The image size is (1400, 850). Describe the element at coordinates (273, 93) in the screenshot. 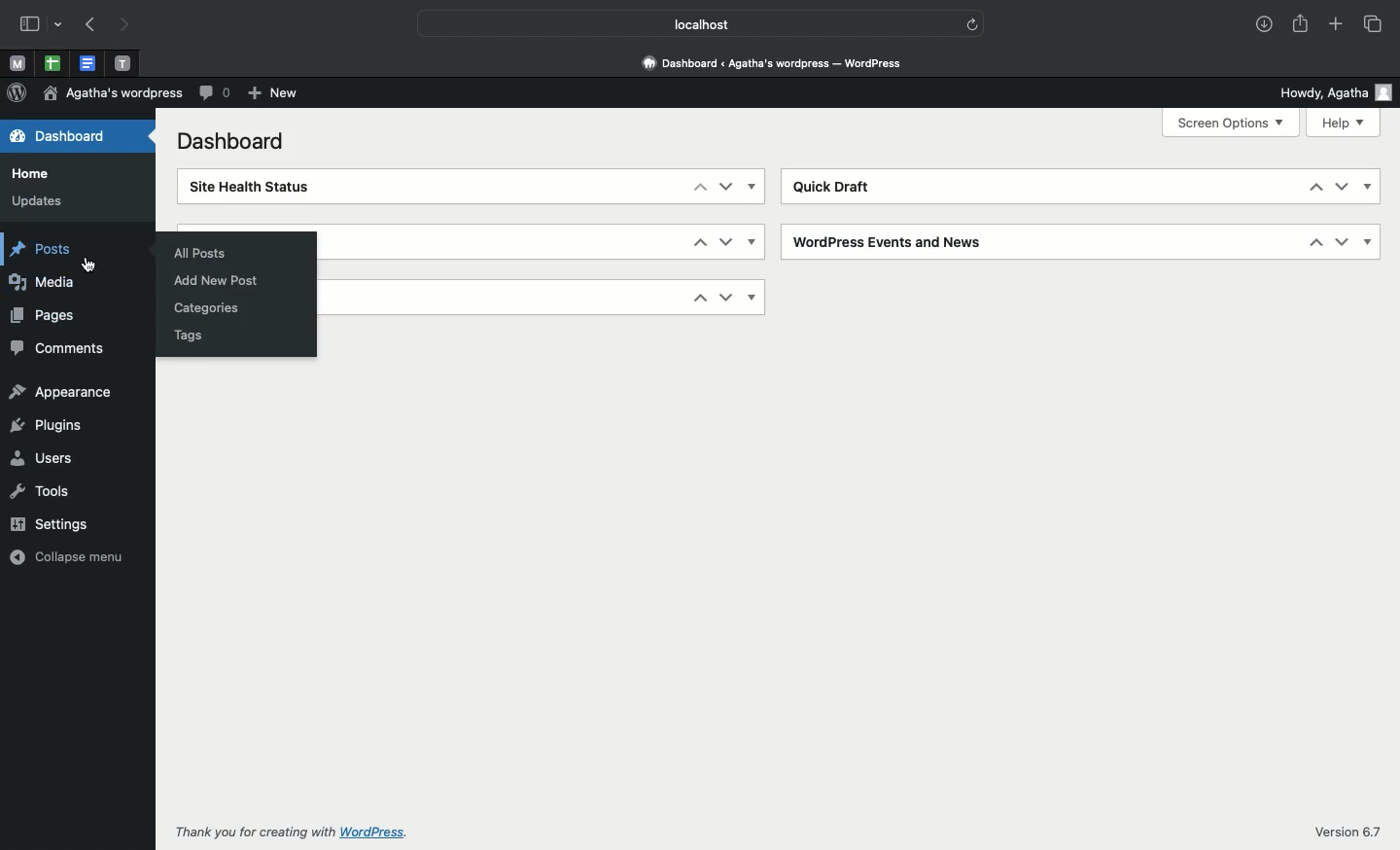

I see `New` at that location.